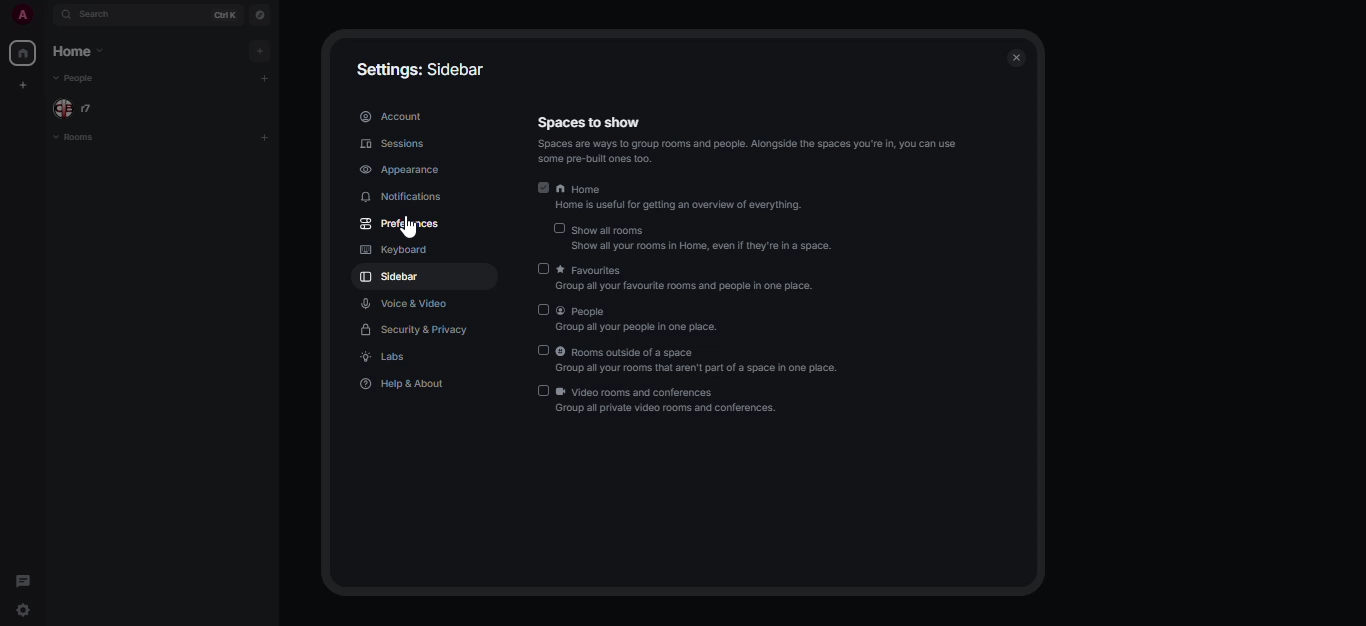  Describe the element at coordinates (266, 136) in the screenshot. I see `add` at that location.